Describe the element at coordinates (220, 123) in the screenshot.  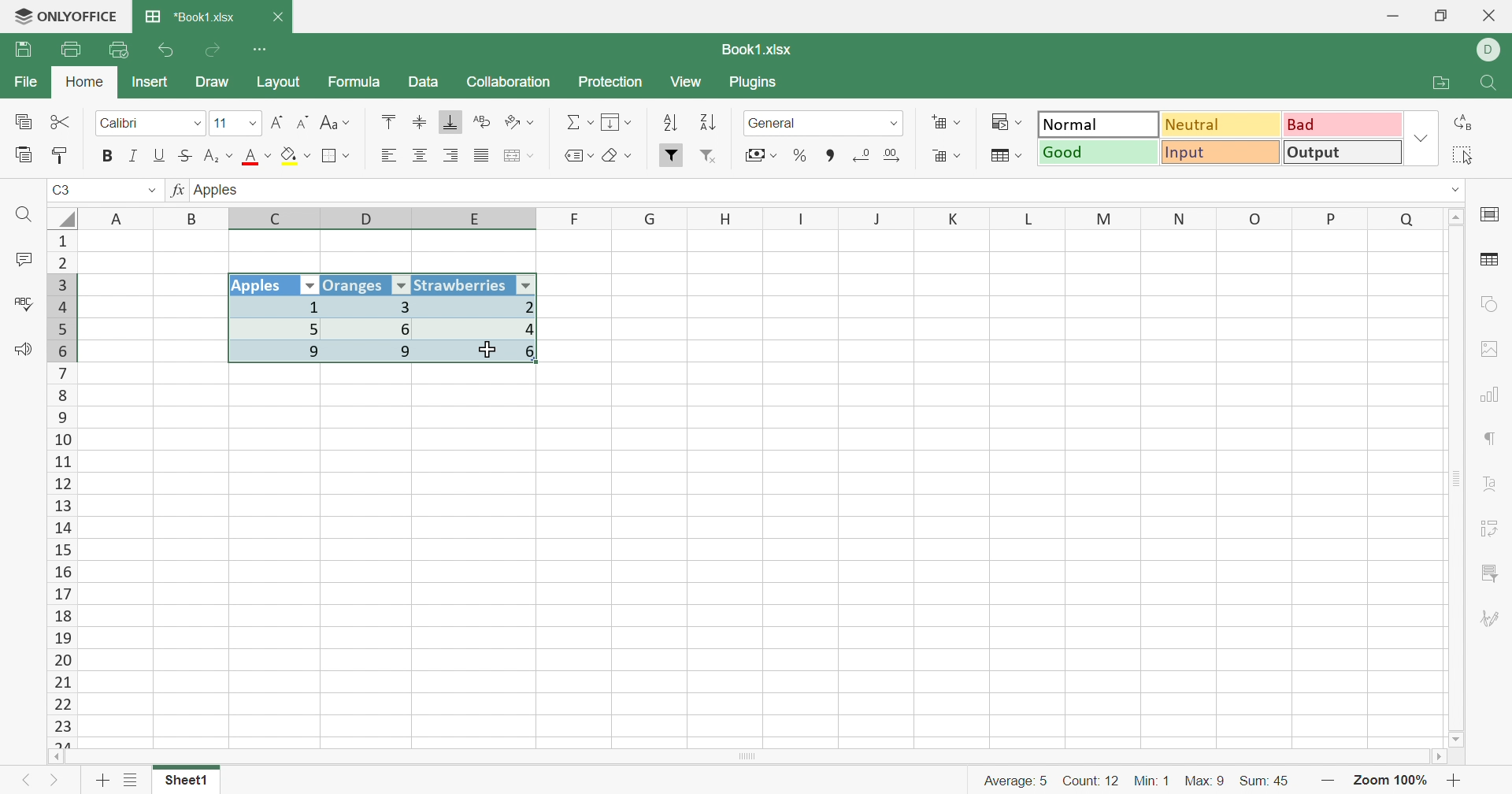
I see `11` at that location.